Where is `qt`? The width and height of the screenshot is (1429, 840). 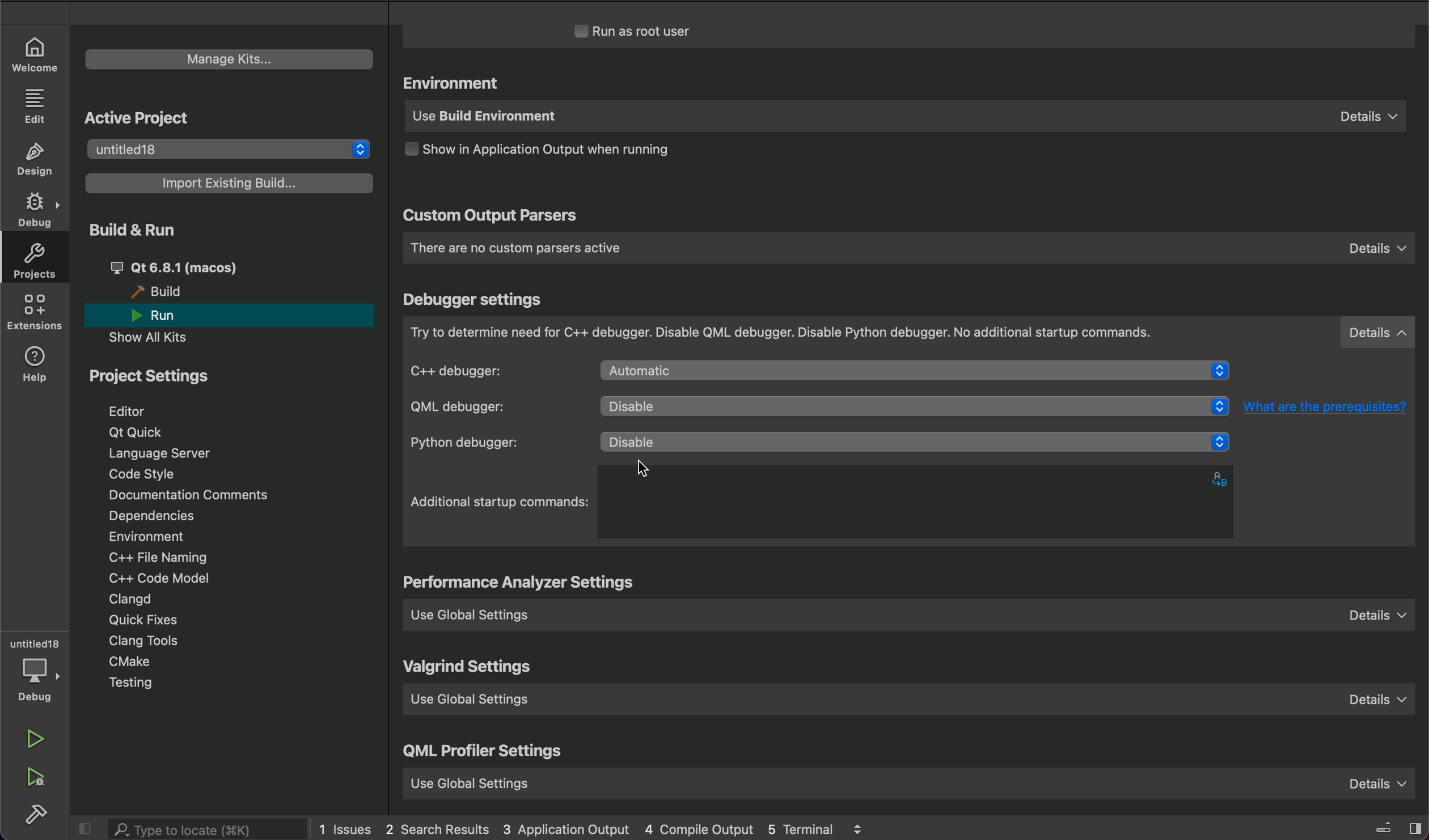
qt is located at coordinates (200, 266).